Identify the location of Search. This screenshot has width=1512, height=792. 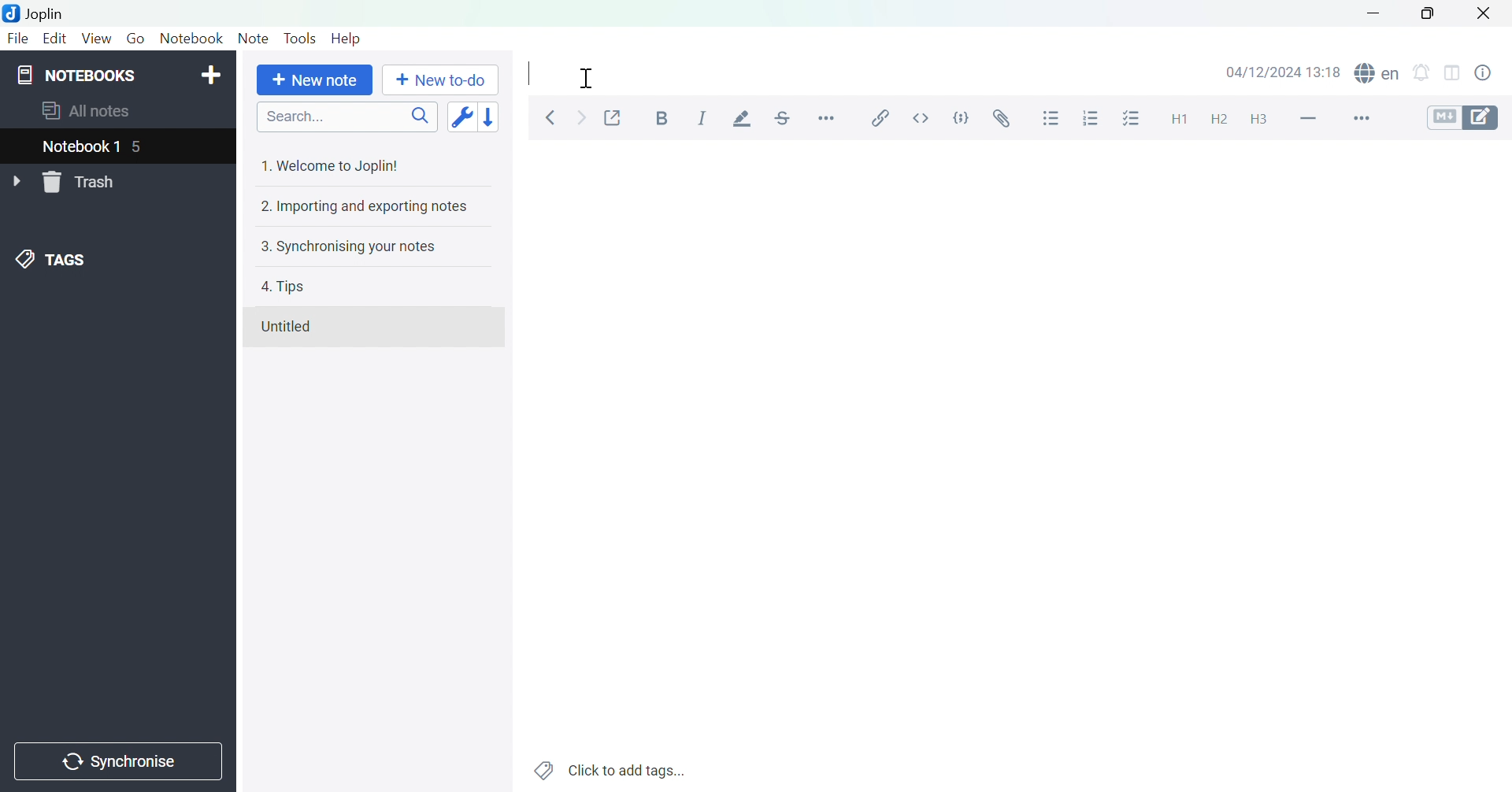
(346, 116).